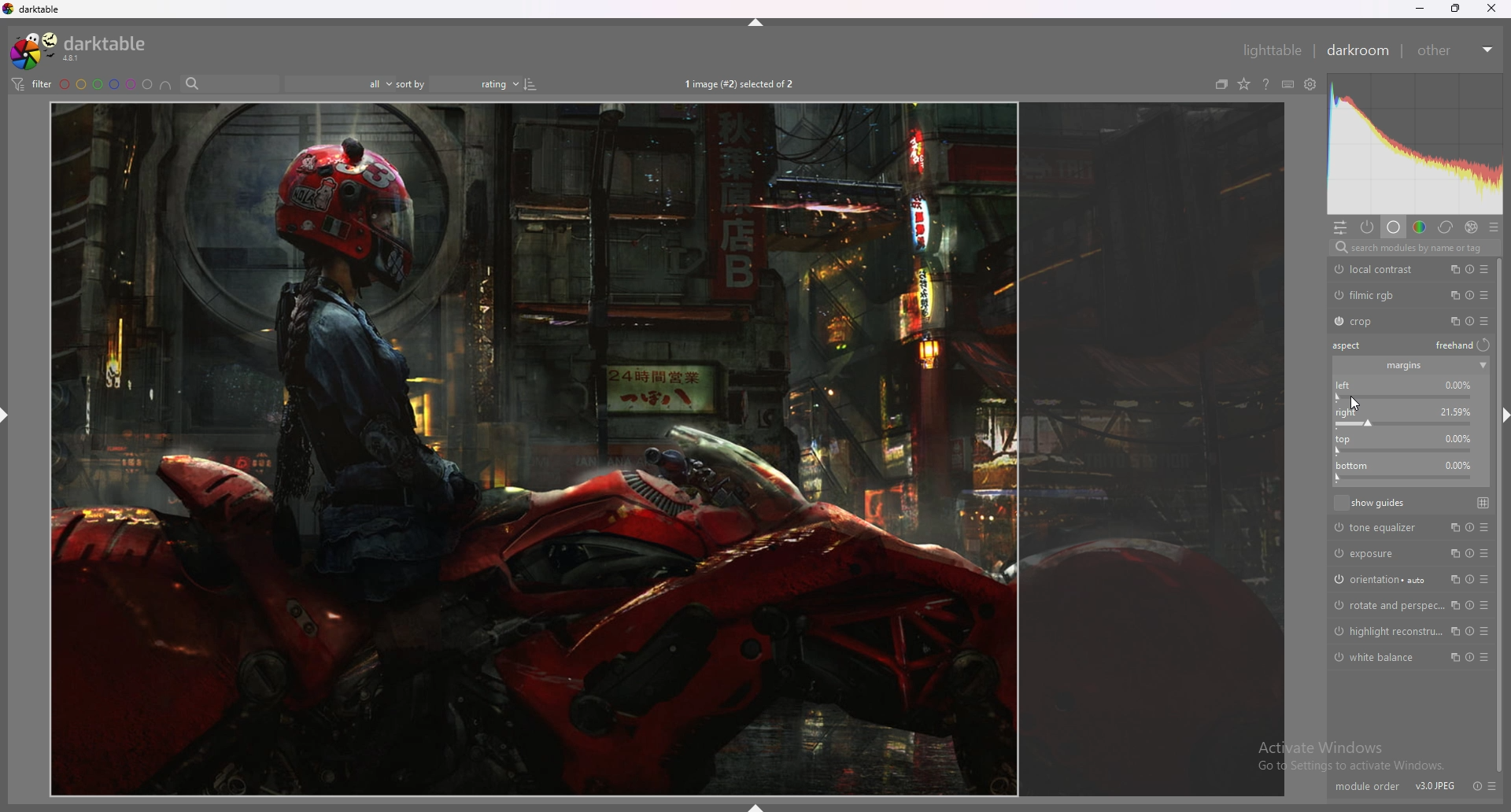  Describe the element at coordinates (1456, 50) in the screenshot. I see `other` at that location.